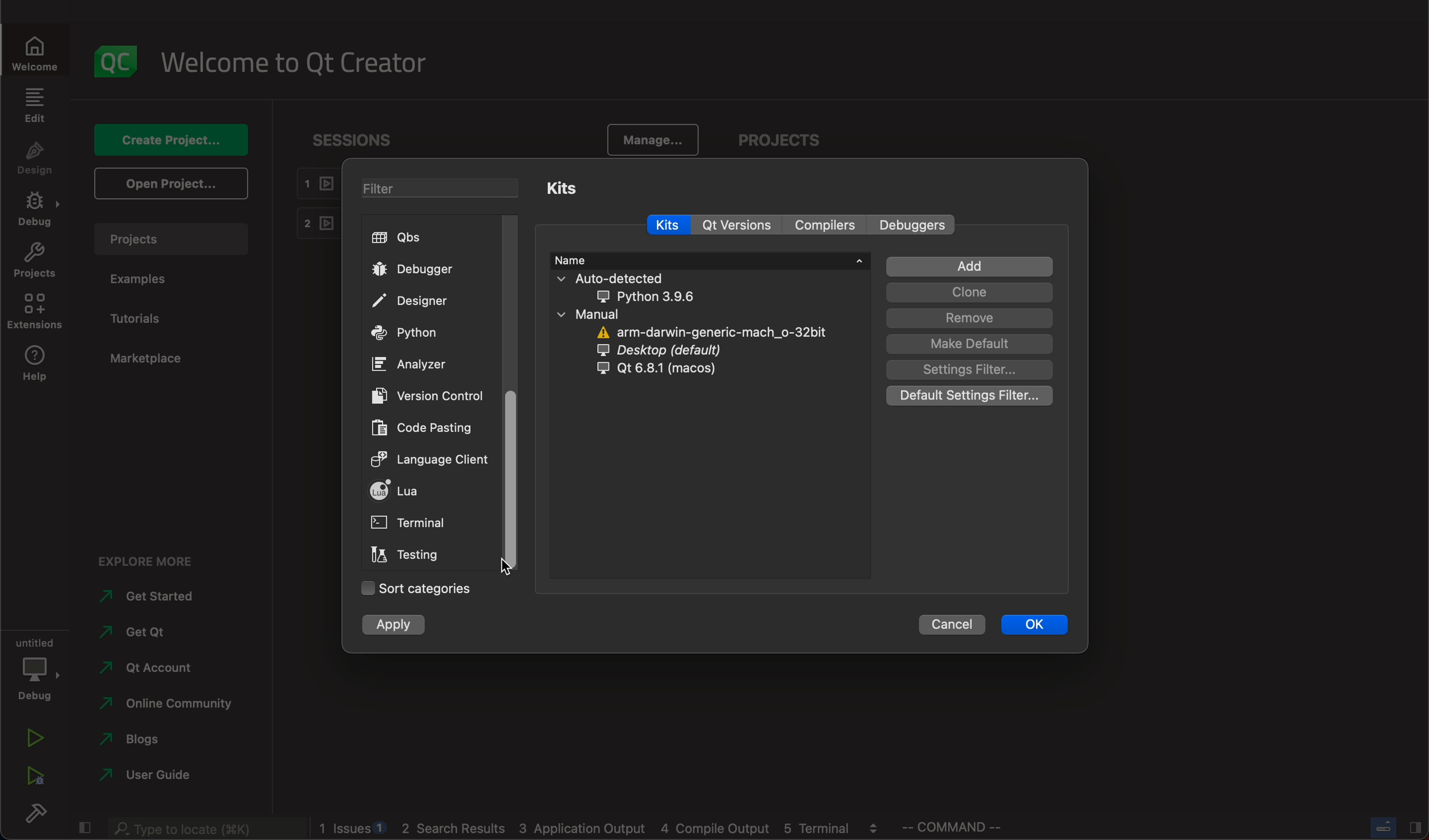  I want to click on terminal, so click(408, 524).